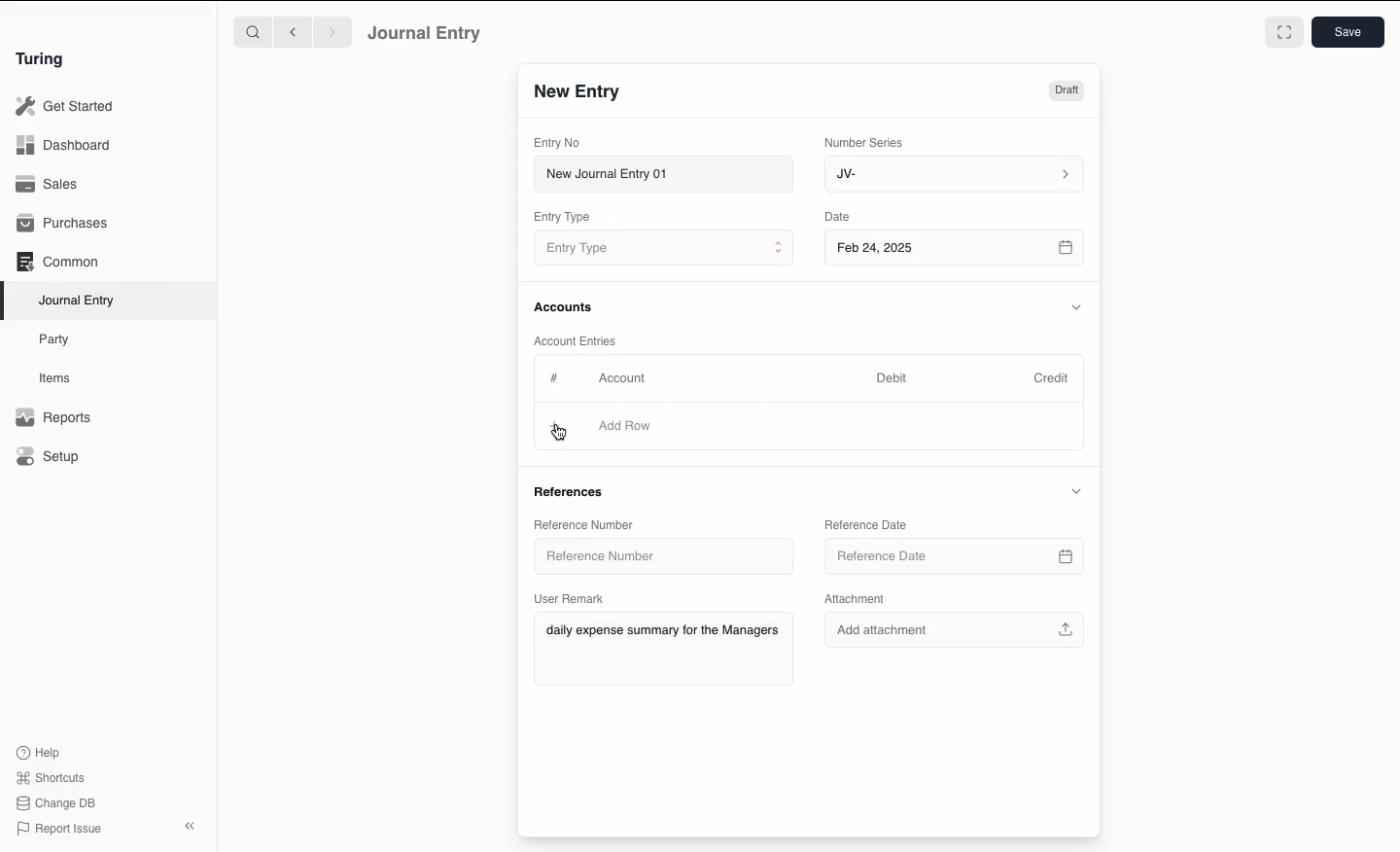 The image size is (1400, 852). What do you see at coordinates (956, 175) in the screenshot?
I see `JV-` at bounding box center [956, 175].